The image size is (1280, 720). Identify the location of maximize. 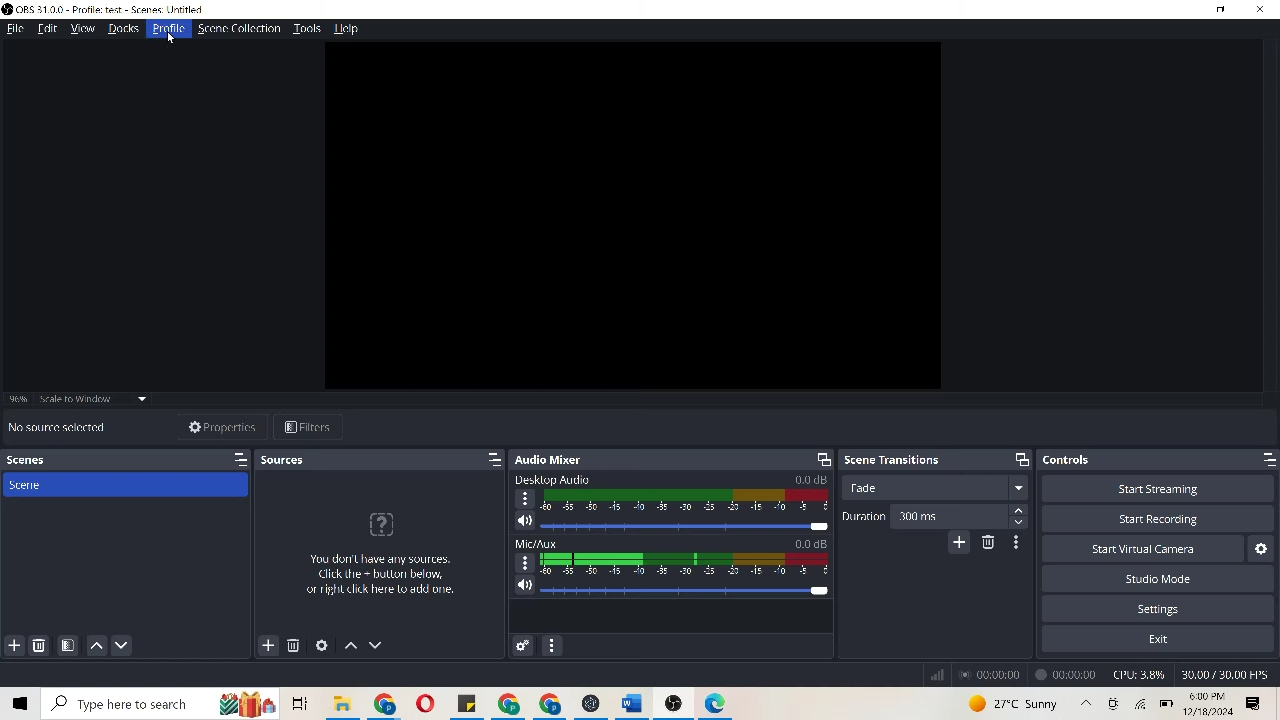
(237, 459).